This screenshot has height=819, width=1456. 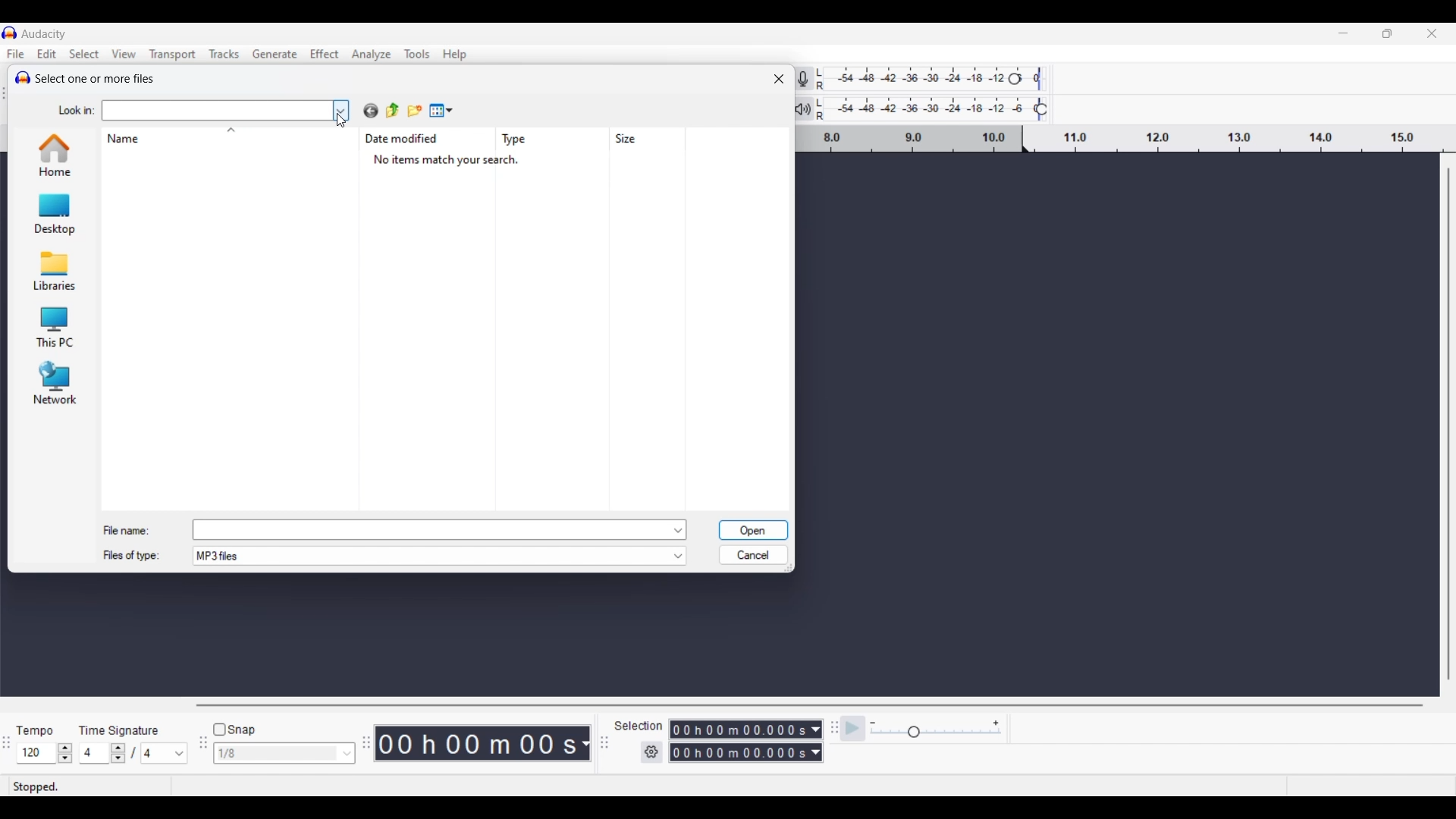 I want to click on Type in folder, so click(x=216, y=111).